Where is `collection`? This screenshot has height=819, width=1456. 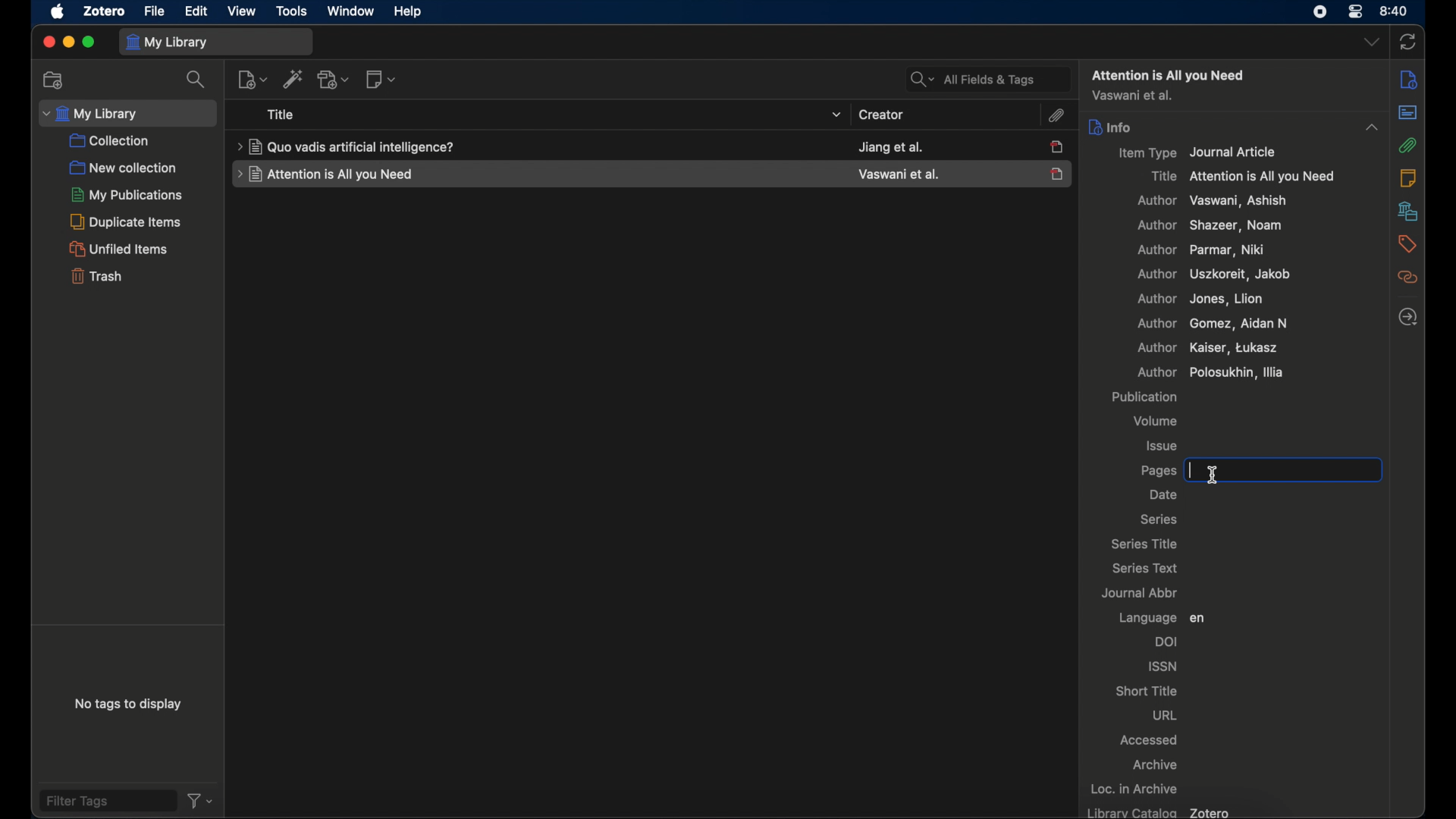 collection is located at coordinates (111, 141).